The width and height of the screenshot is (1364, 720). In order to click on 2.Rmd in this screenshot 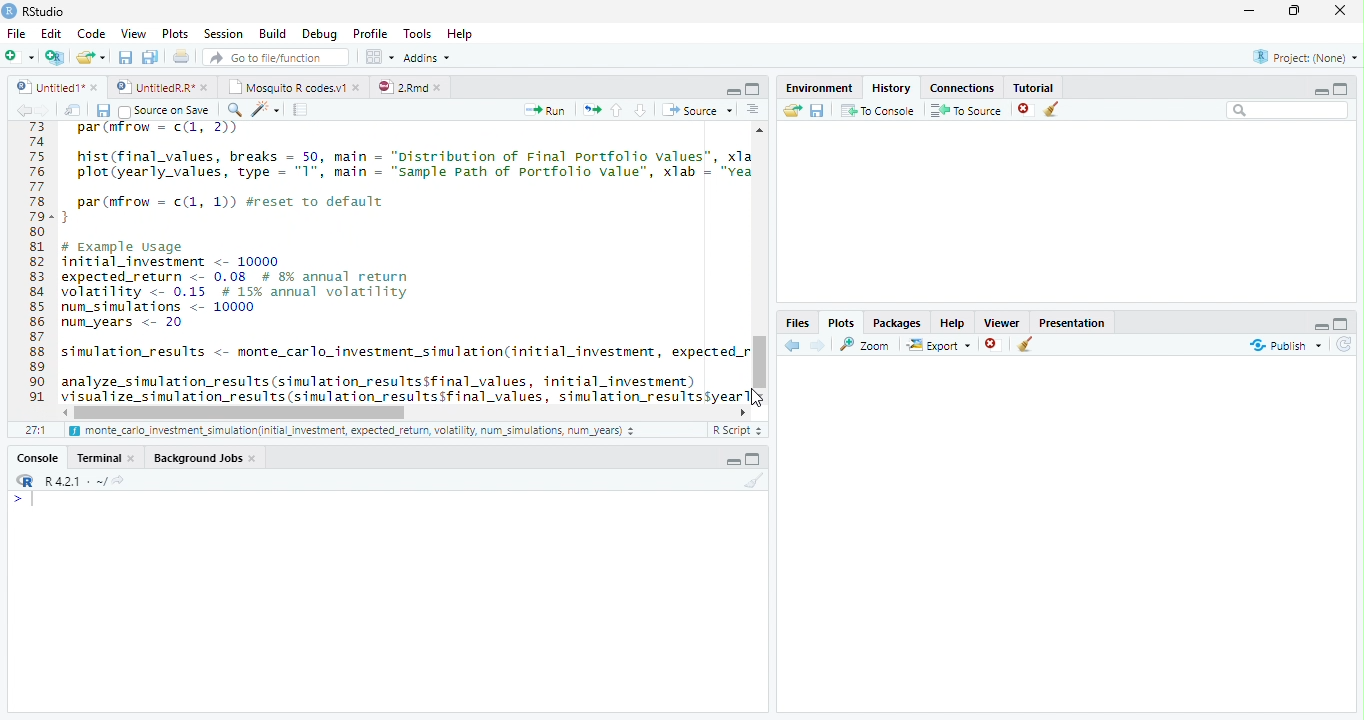, I will do `click(410, 87)`.